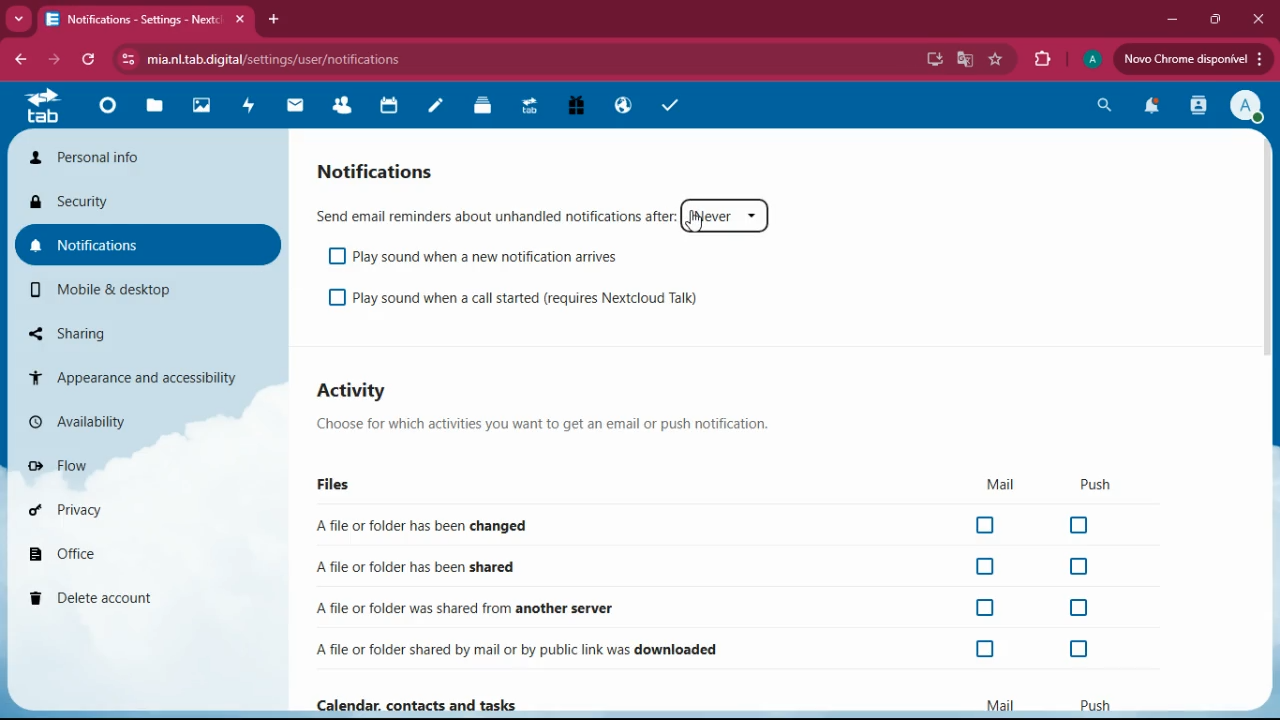 This screenshot has width=1280, height=720. What do you see at coordinates (1003, 703) in the screenshot?
I see `mail` at bounding box center [1003, 703].